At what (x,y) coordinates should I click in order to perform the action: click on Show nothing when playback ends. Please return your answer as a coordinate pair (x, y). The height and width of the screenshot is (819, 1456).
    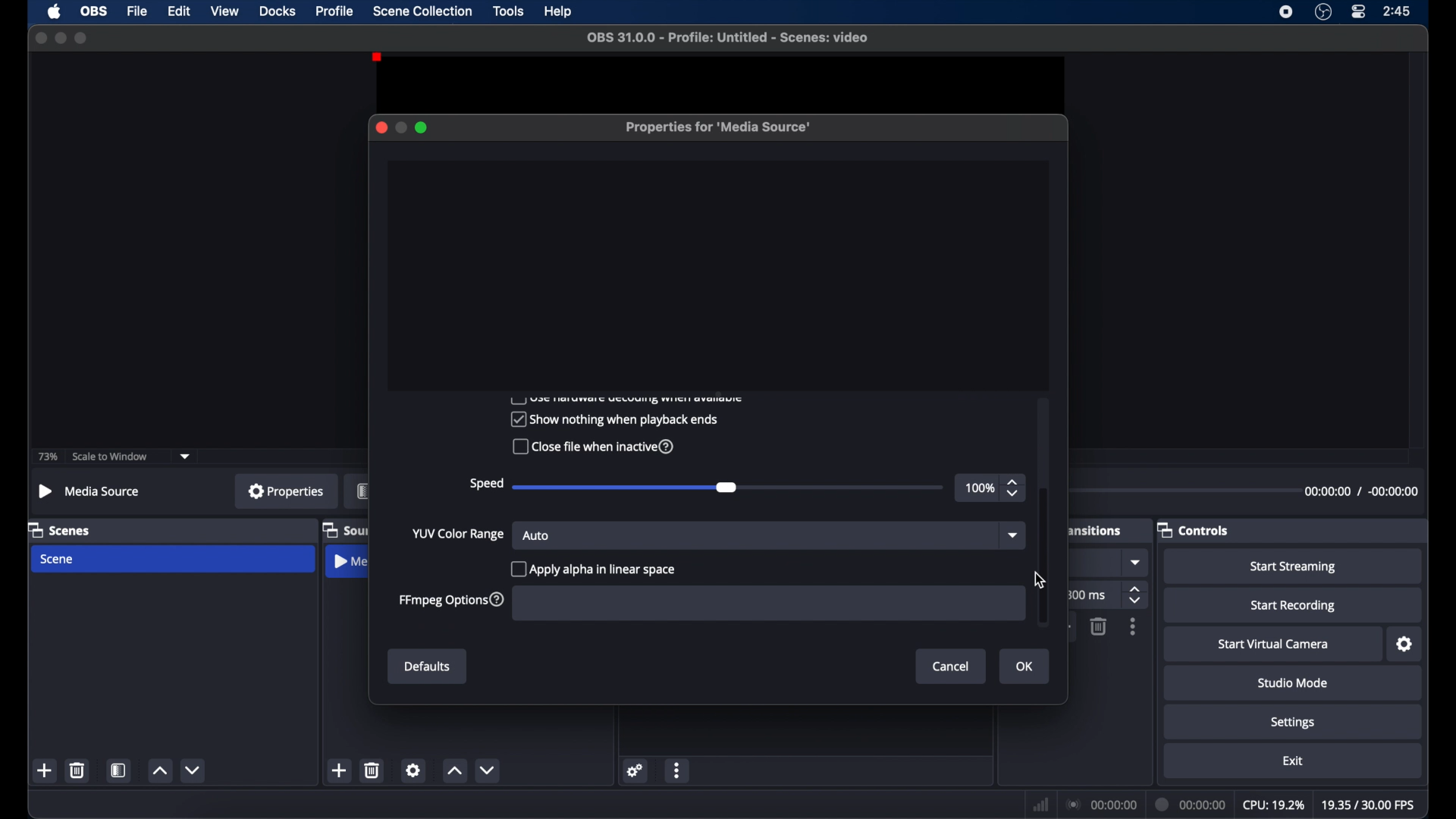
    Looking at the image, I should click on (613, 419).